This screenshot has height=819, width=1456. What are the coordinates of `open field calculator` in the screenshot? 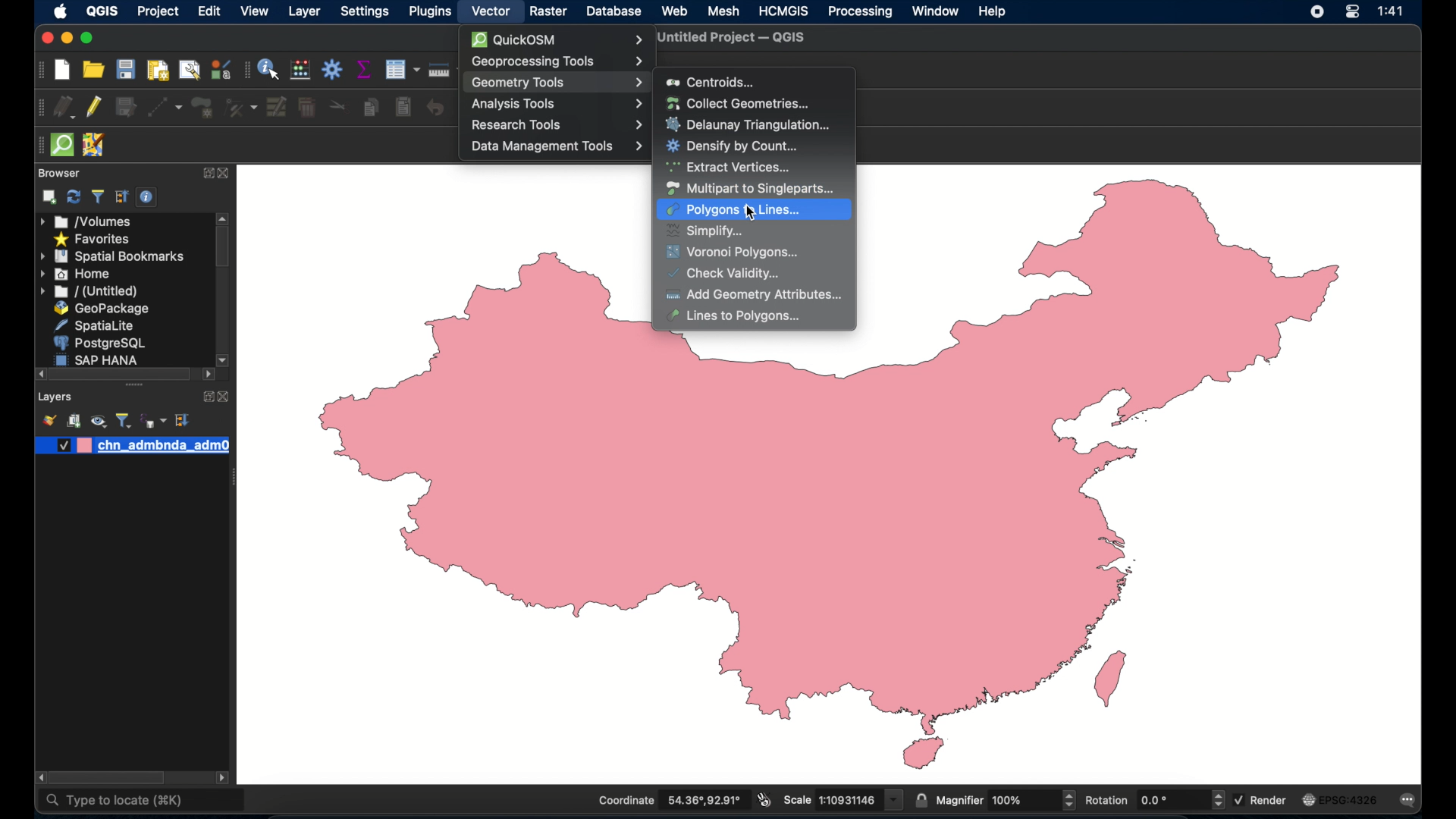 It's located at (300, 69).